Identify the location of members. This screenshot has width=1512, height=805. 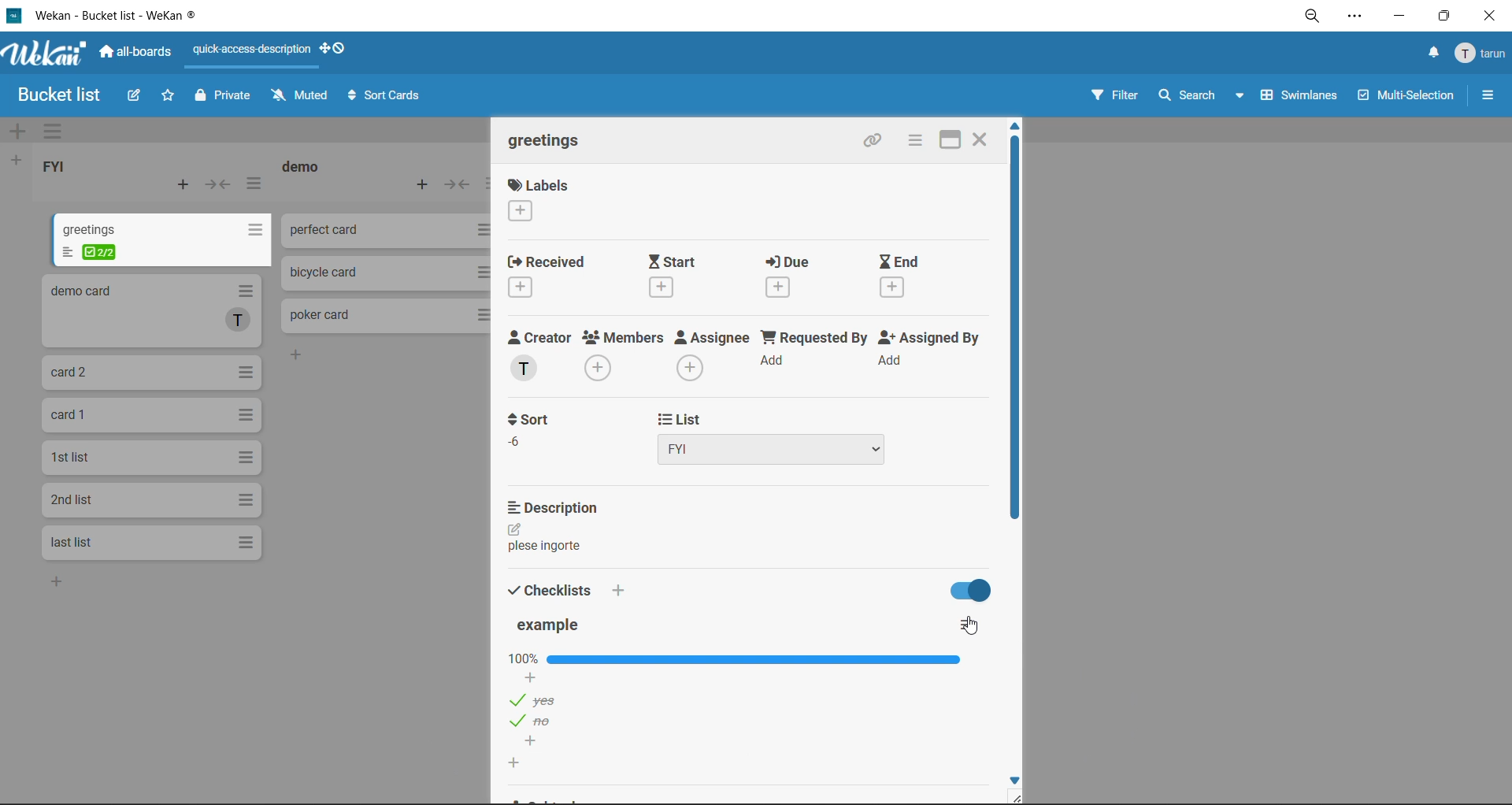
(624, 355).